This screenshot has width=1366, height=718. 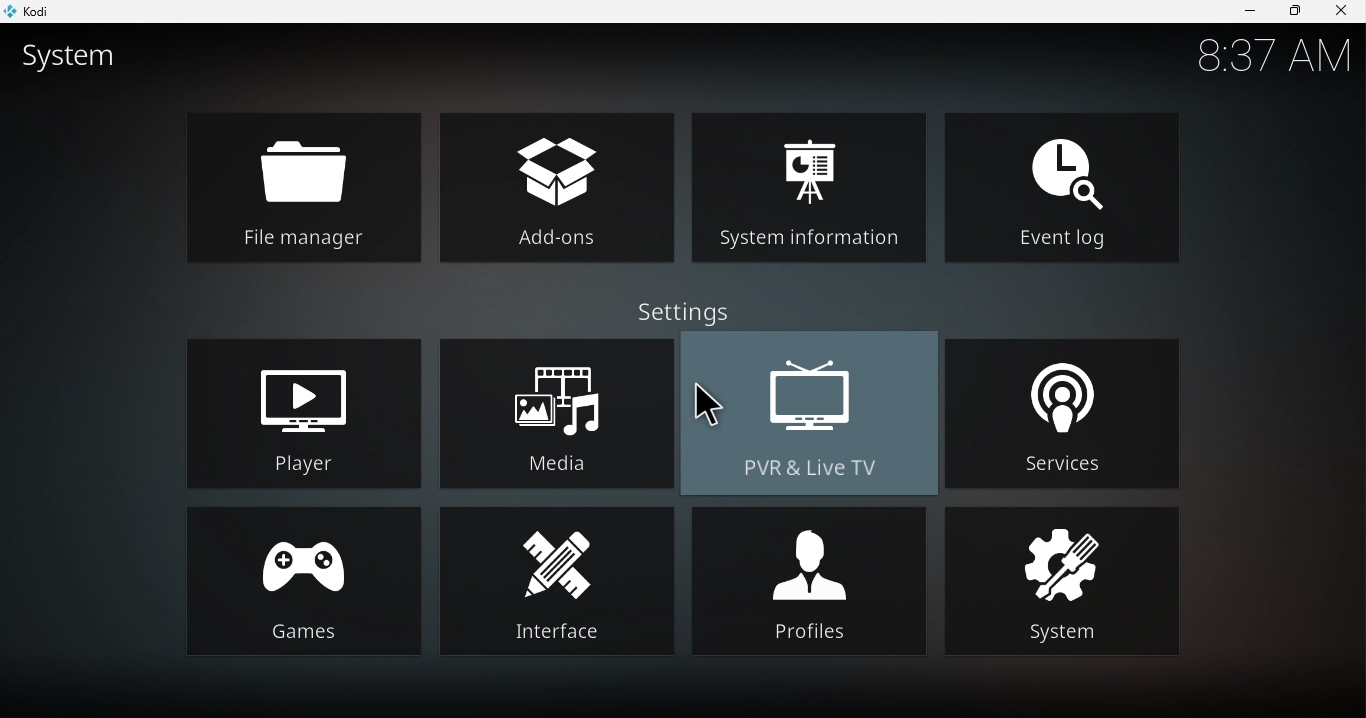 I want to click on File manager, so click(x=304, y=187).